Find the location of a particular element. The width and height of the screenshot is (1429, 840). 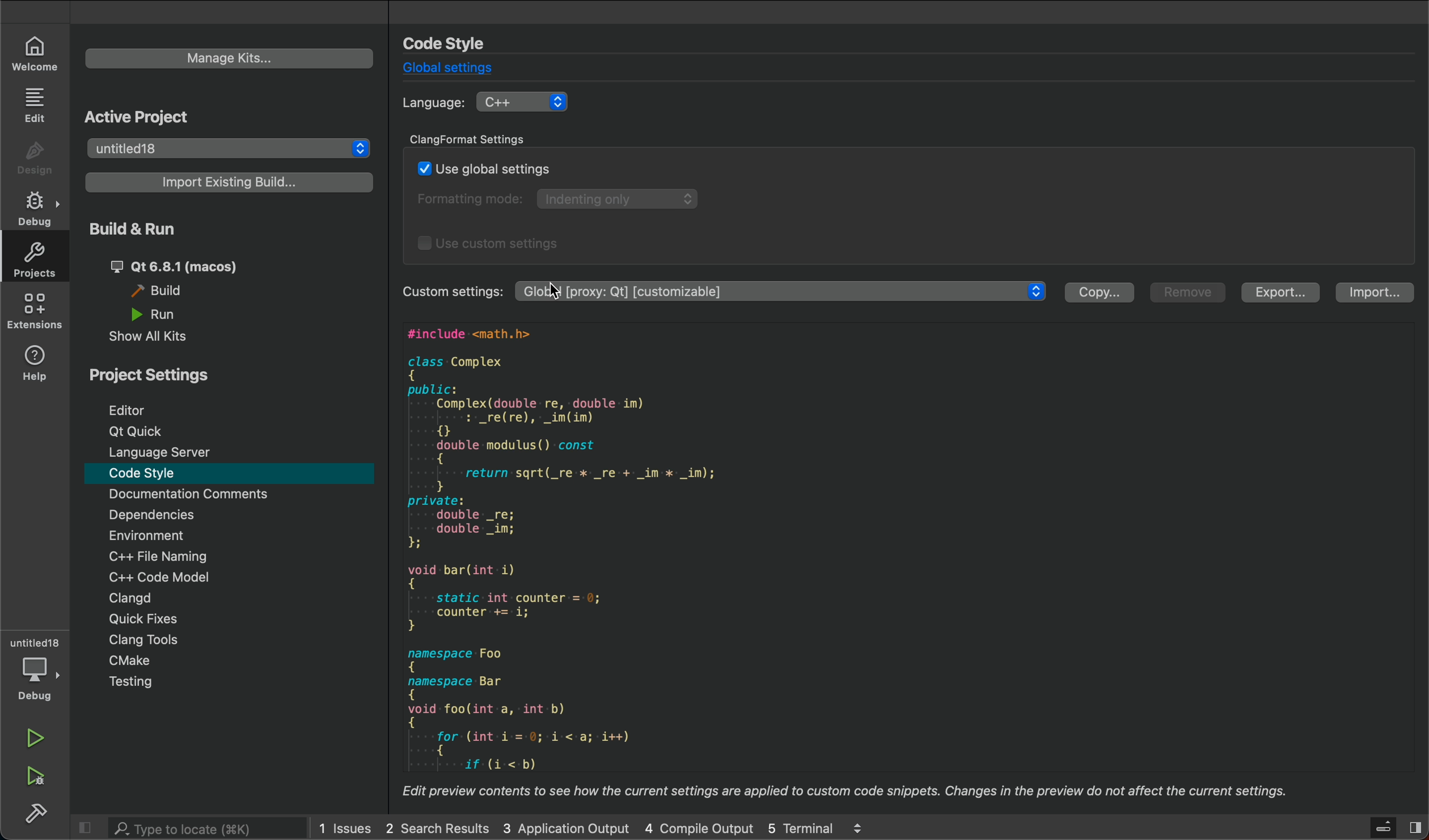

remove is located at coordinates (1186, 292).